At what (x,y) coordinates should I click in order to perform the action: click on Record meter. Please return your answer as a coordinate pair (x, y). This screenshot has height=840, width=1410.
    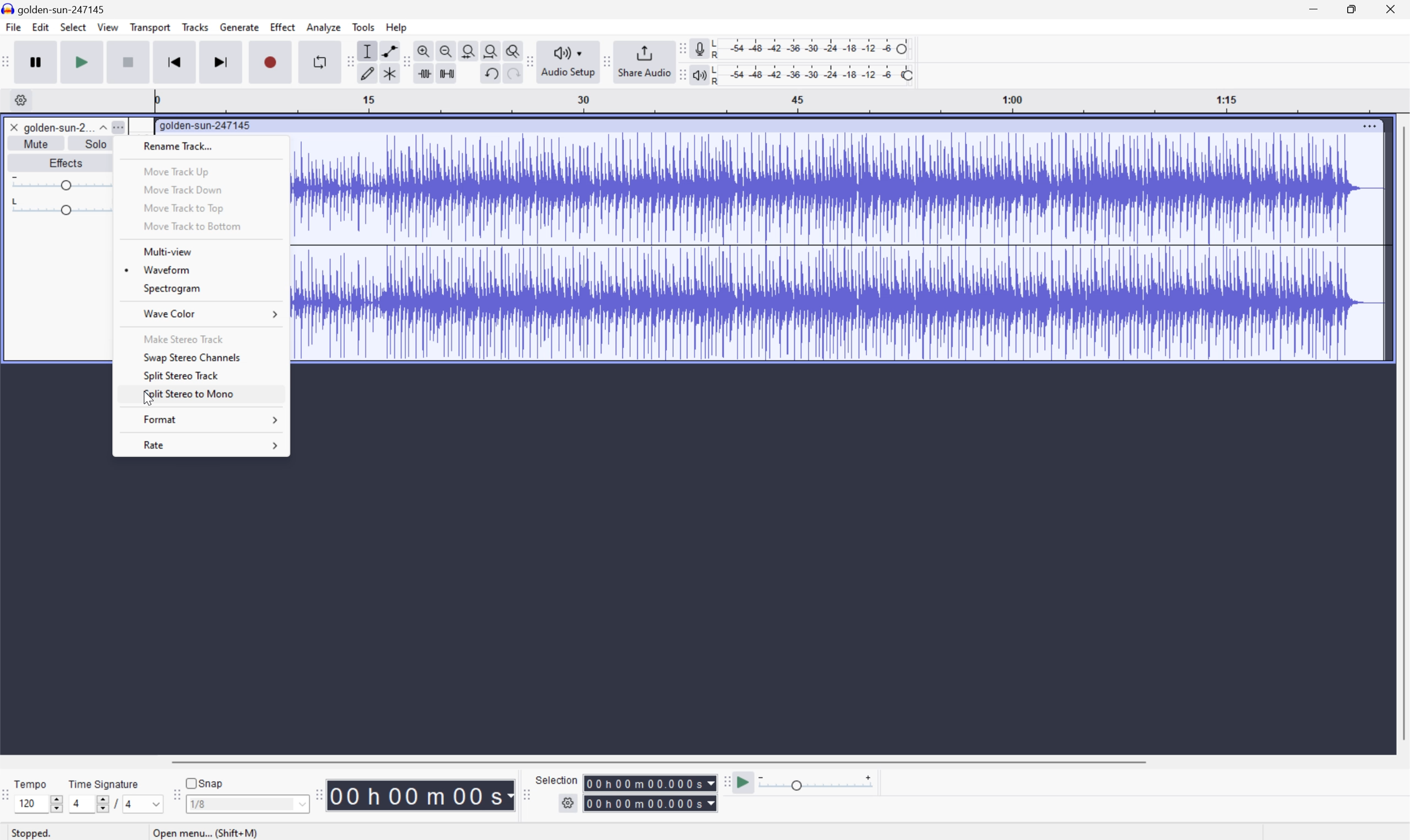
    Looking at the image, I should click on (697, 46).